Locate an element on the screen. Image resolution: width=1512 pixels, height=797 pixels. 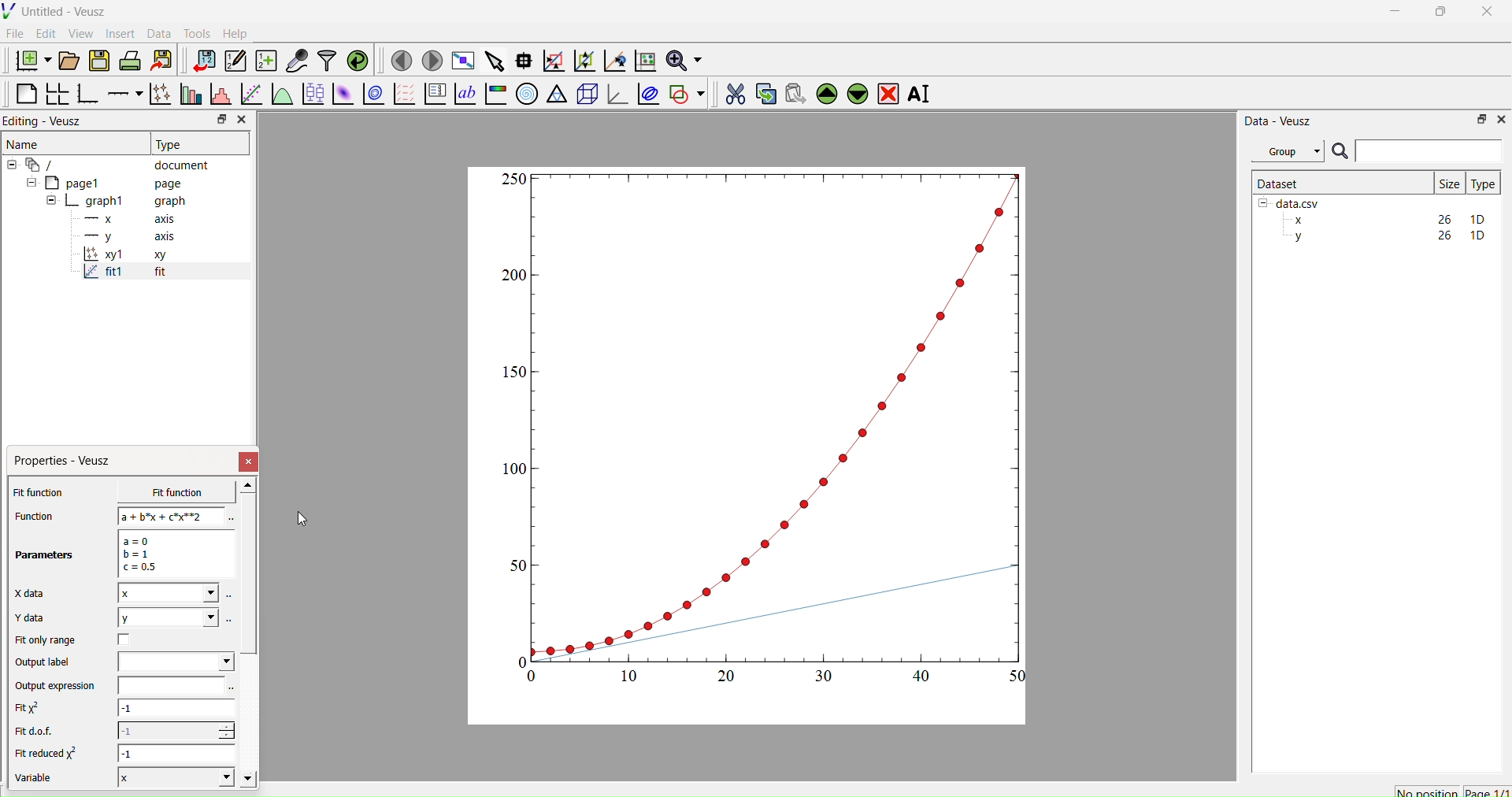
Cursor is located at coordinates (300, 520).